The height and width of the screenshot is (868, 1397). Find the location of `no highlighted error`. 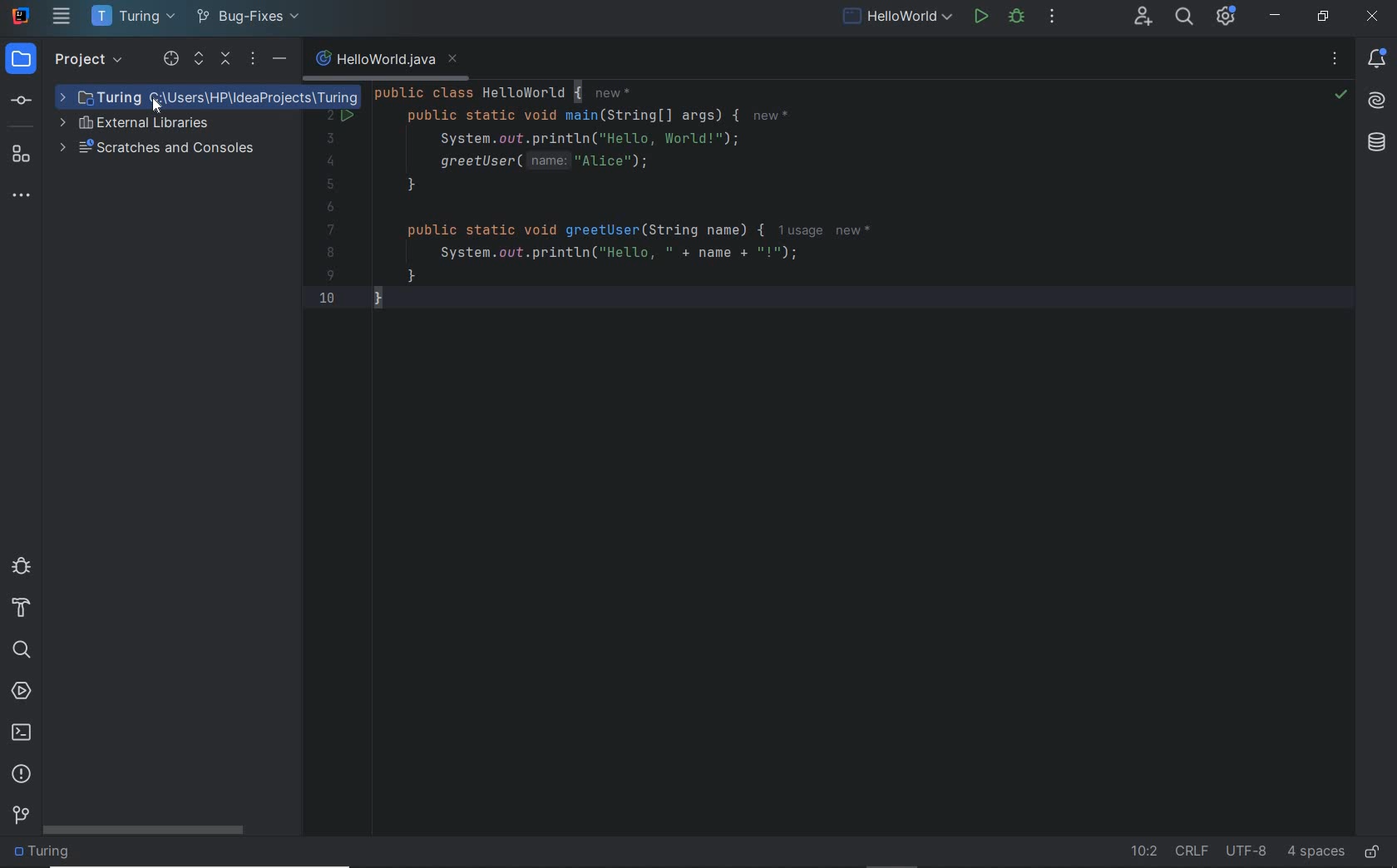

no highlighted error is located at coordinates (1340, 95).